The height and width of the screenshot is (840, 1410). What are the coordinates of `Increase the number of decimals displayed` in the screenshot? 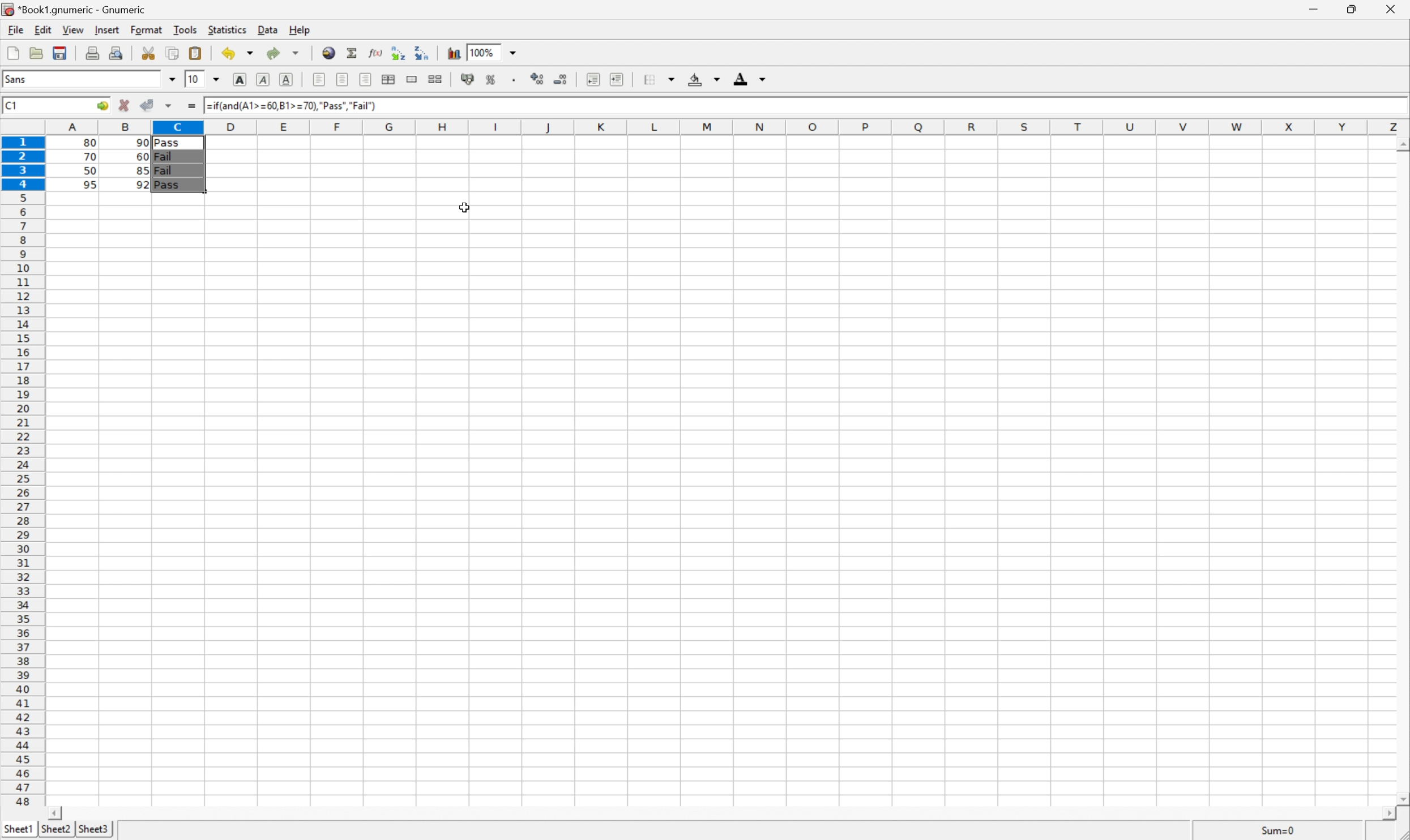 It's located at (539, 79).